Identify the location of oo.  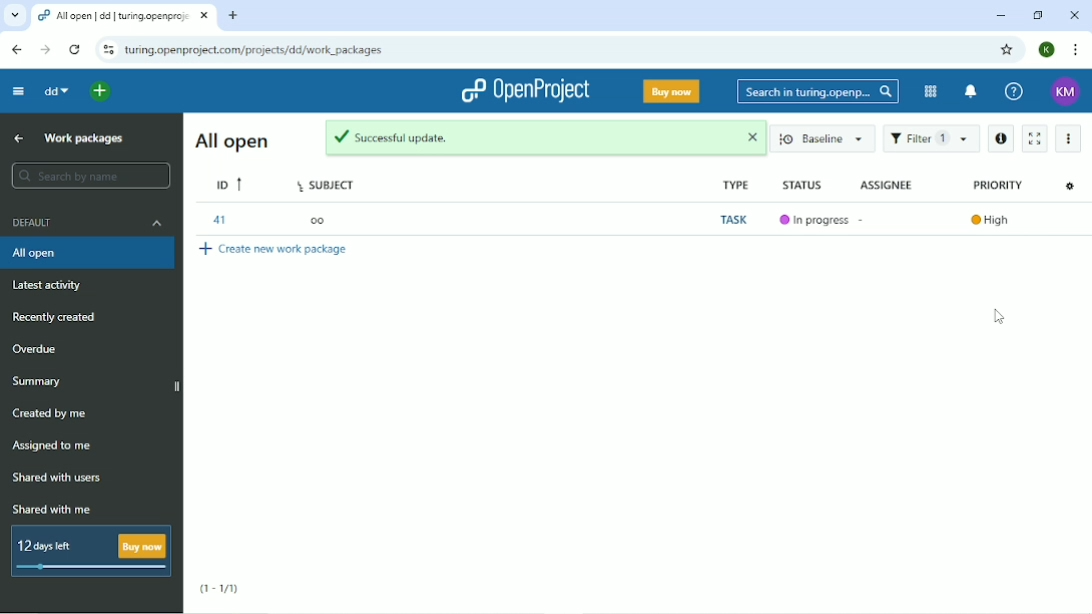
(324, 219).